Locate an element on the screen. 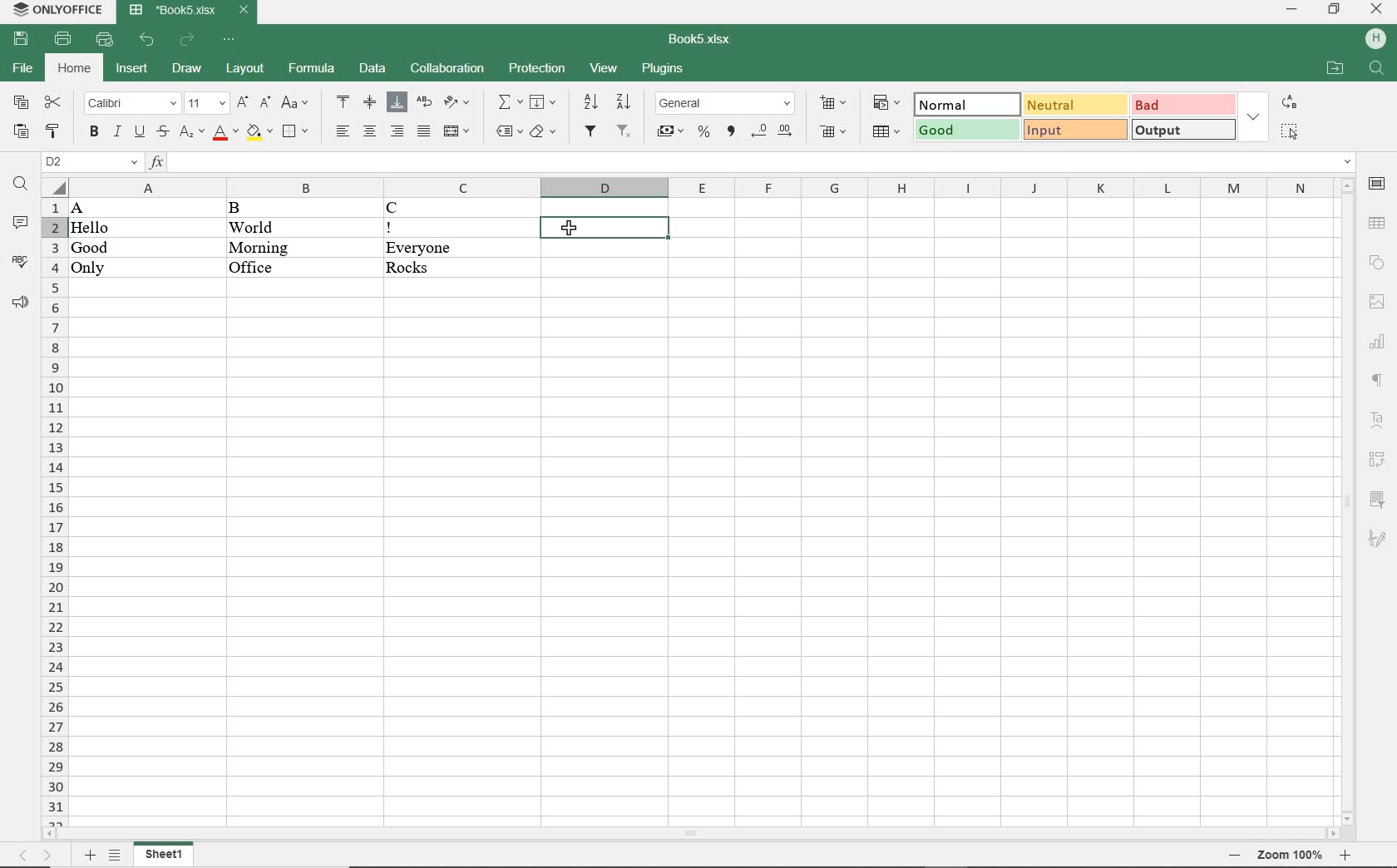 This screenshot has width=1397, height=868. FONT COLOR is located at coordinates (225, 136).